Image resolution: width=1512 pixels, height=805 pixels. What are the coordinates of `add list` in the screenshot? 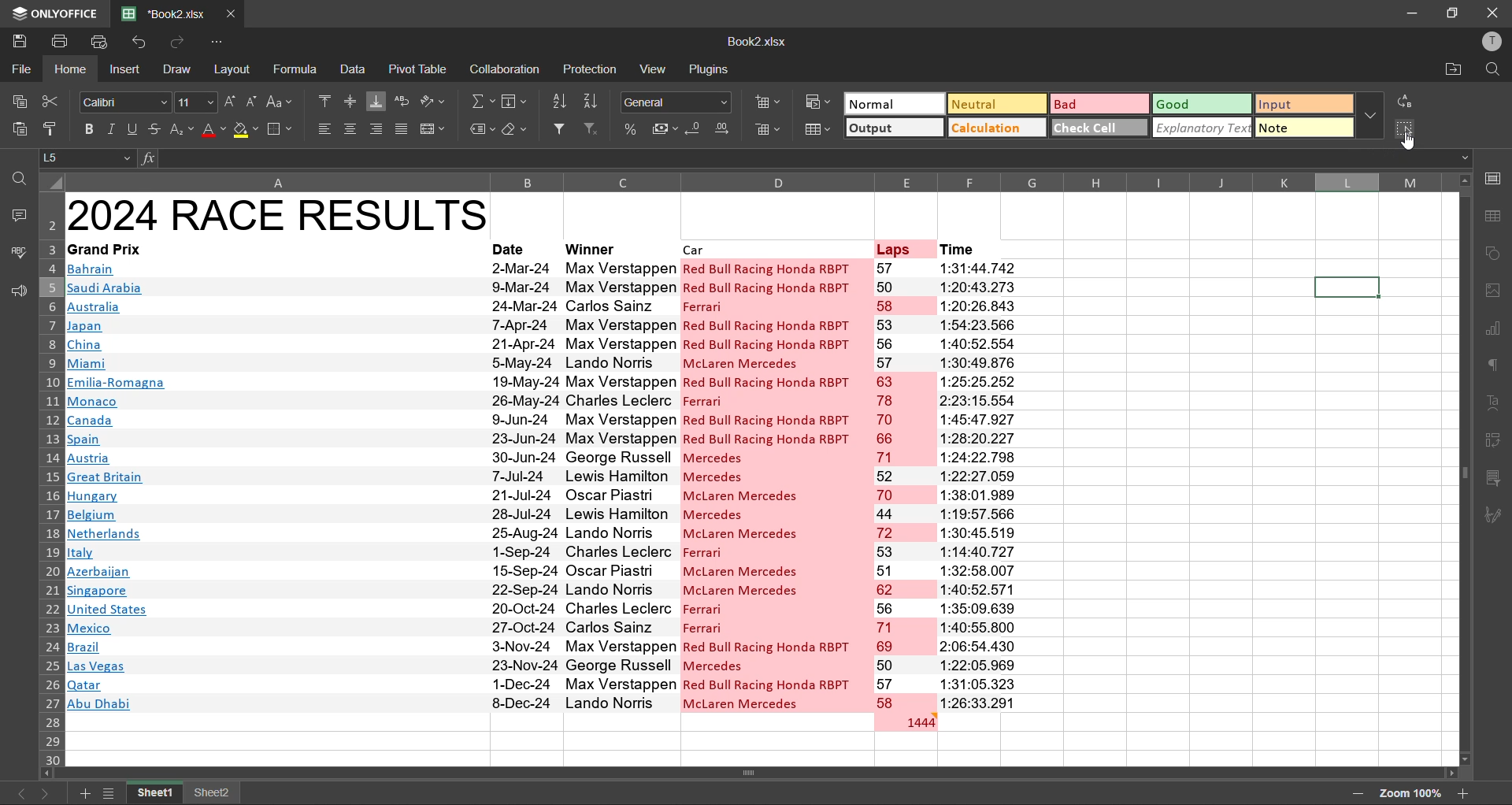 It's located at (87, 793).